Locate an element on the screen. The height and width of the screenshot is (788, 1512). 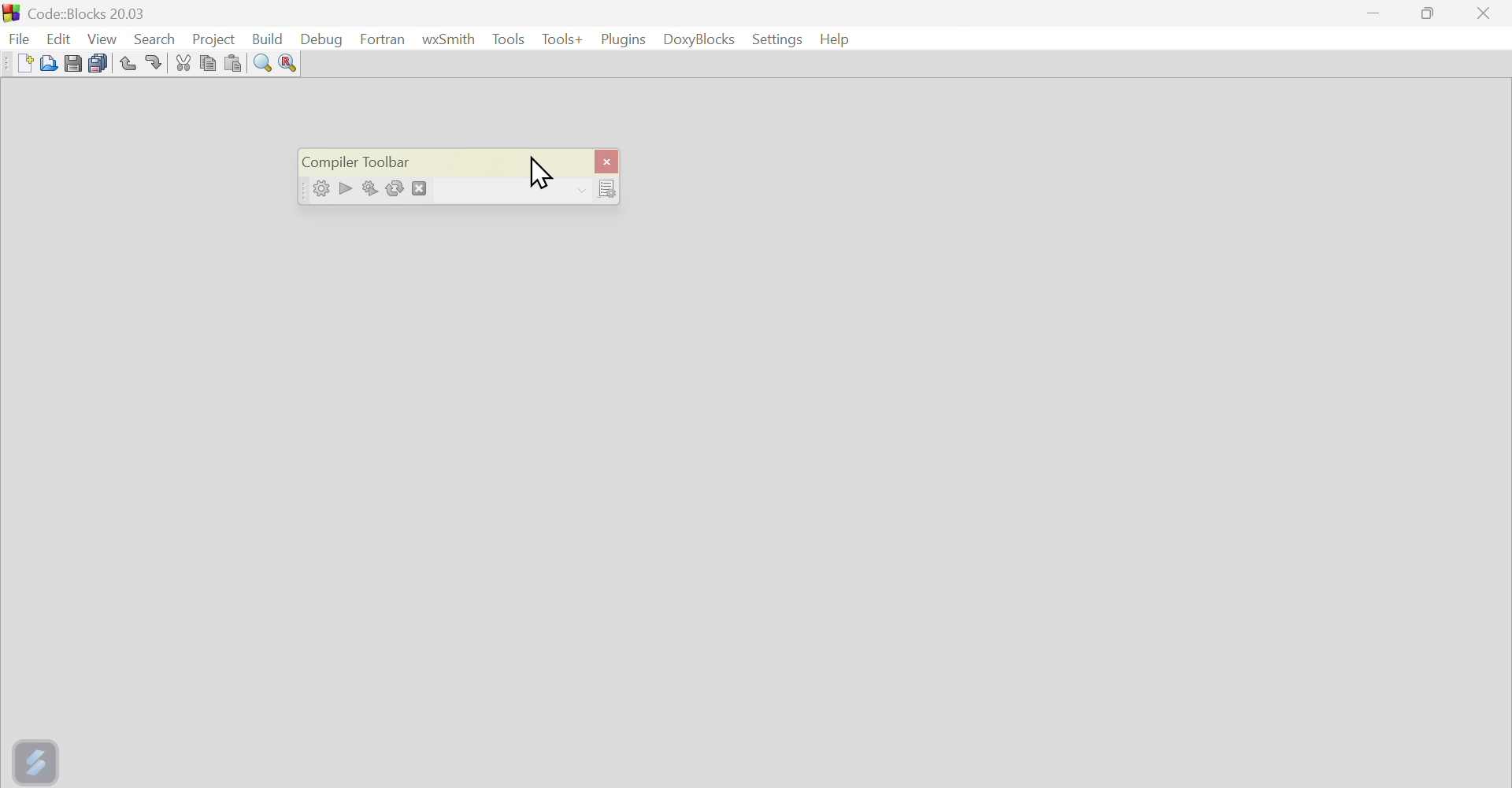
View is located at coordinates (103, 36).